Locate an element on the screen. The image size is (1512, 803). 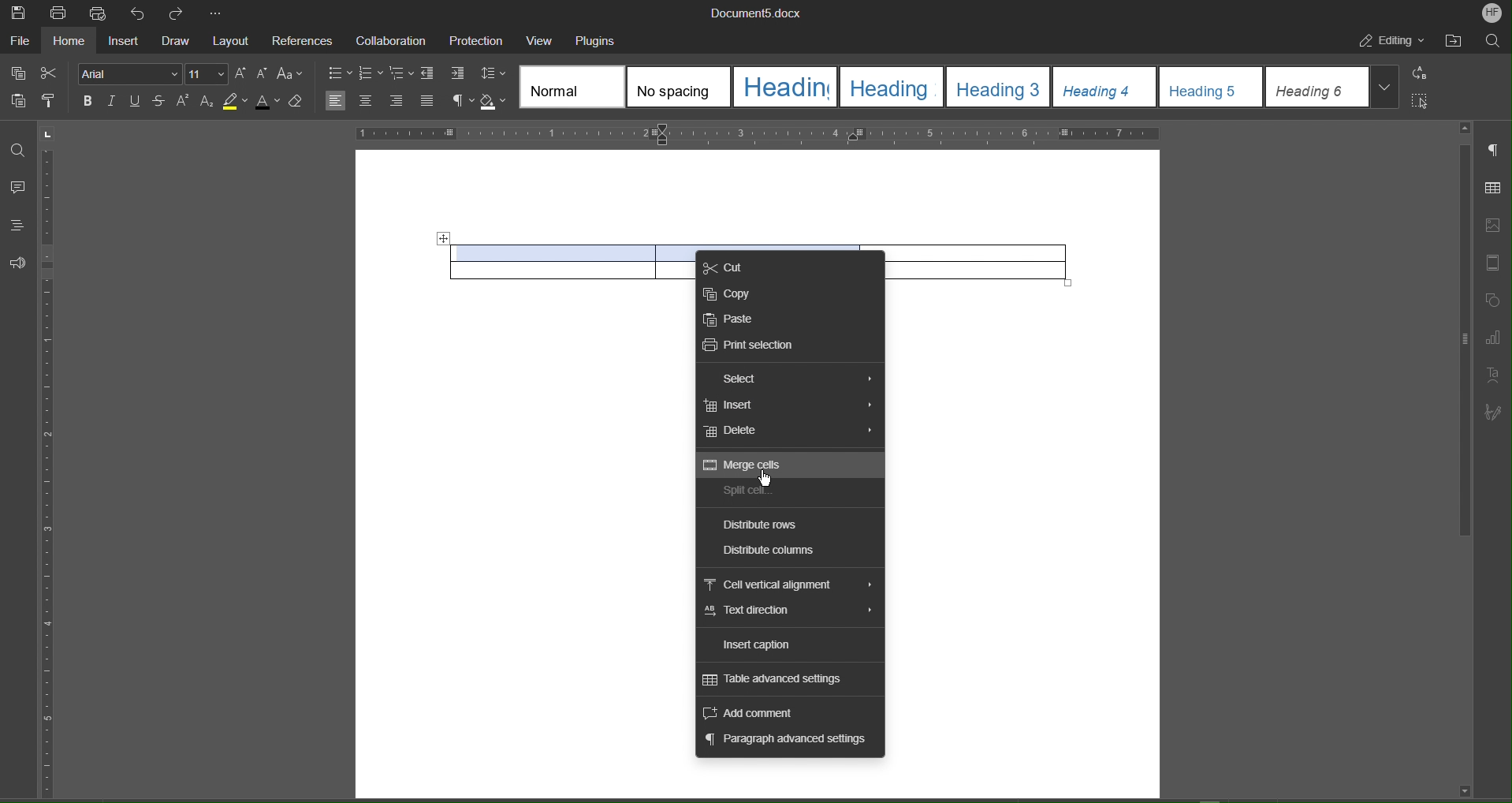
Multilevel list is located at coordinates (402, 74).